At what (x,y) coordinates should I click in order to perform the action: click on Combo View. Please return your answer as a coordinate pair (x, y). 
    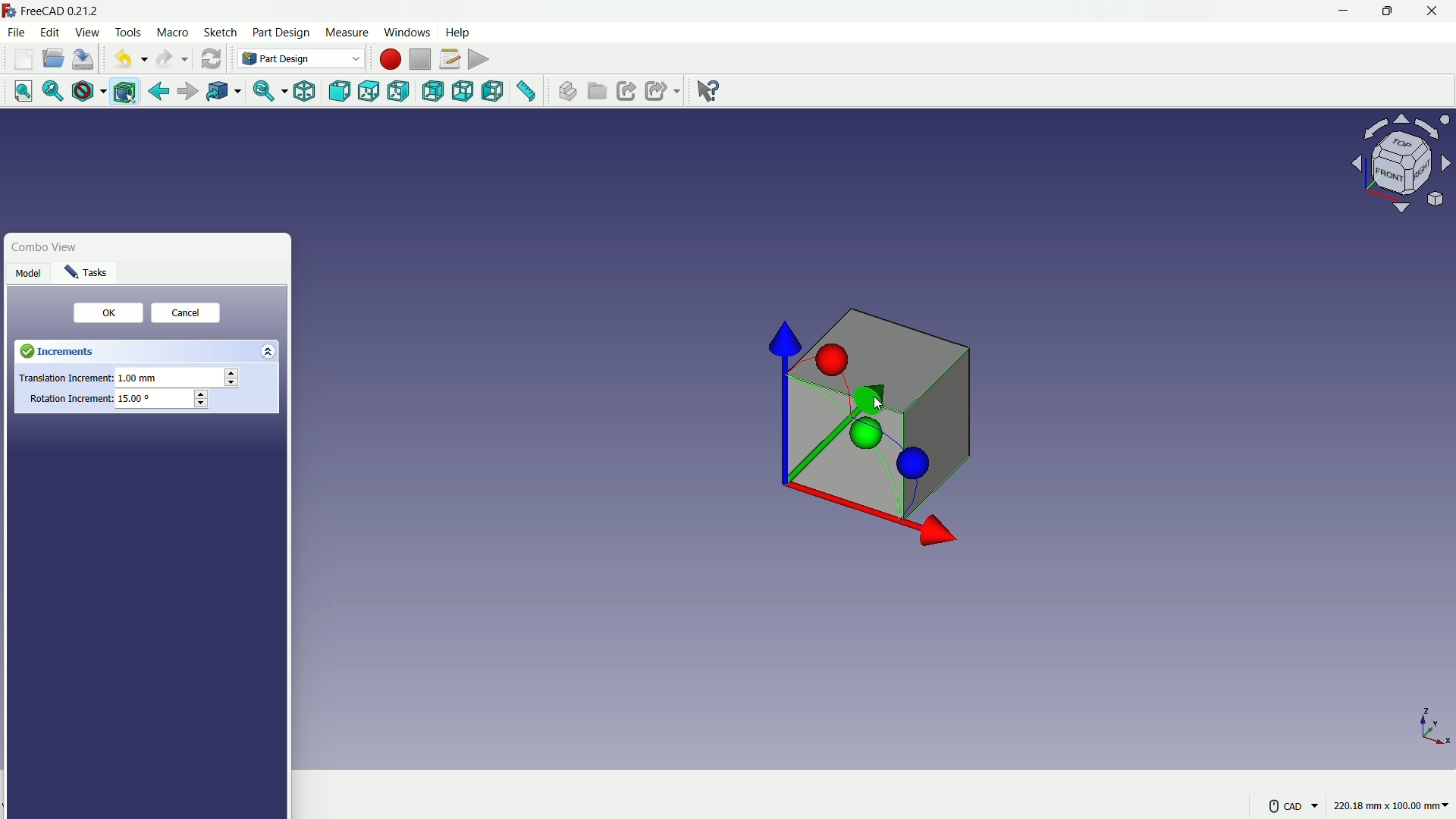
    Looking at the image, I should click on (42, 246).